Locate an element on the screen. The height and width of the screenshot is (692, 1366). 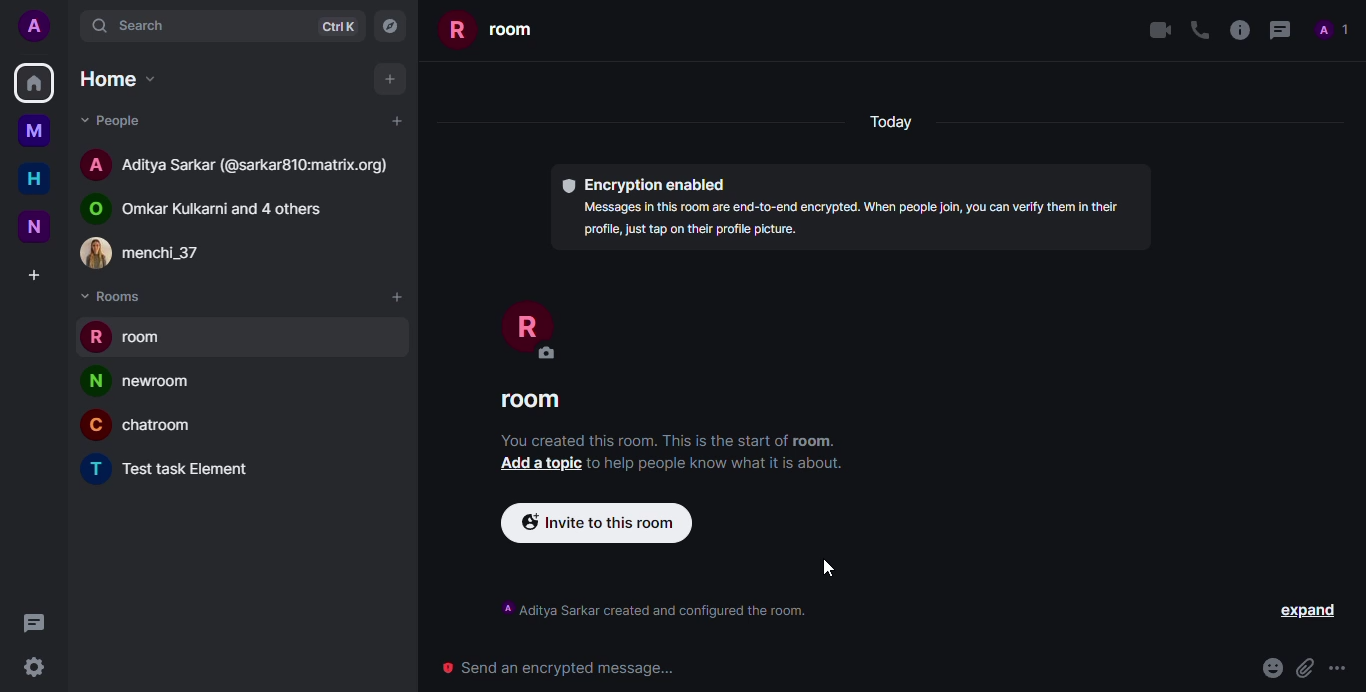
add is located at coordinates (396, 120).